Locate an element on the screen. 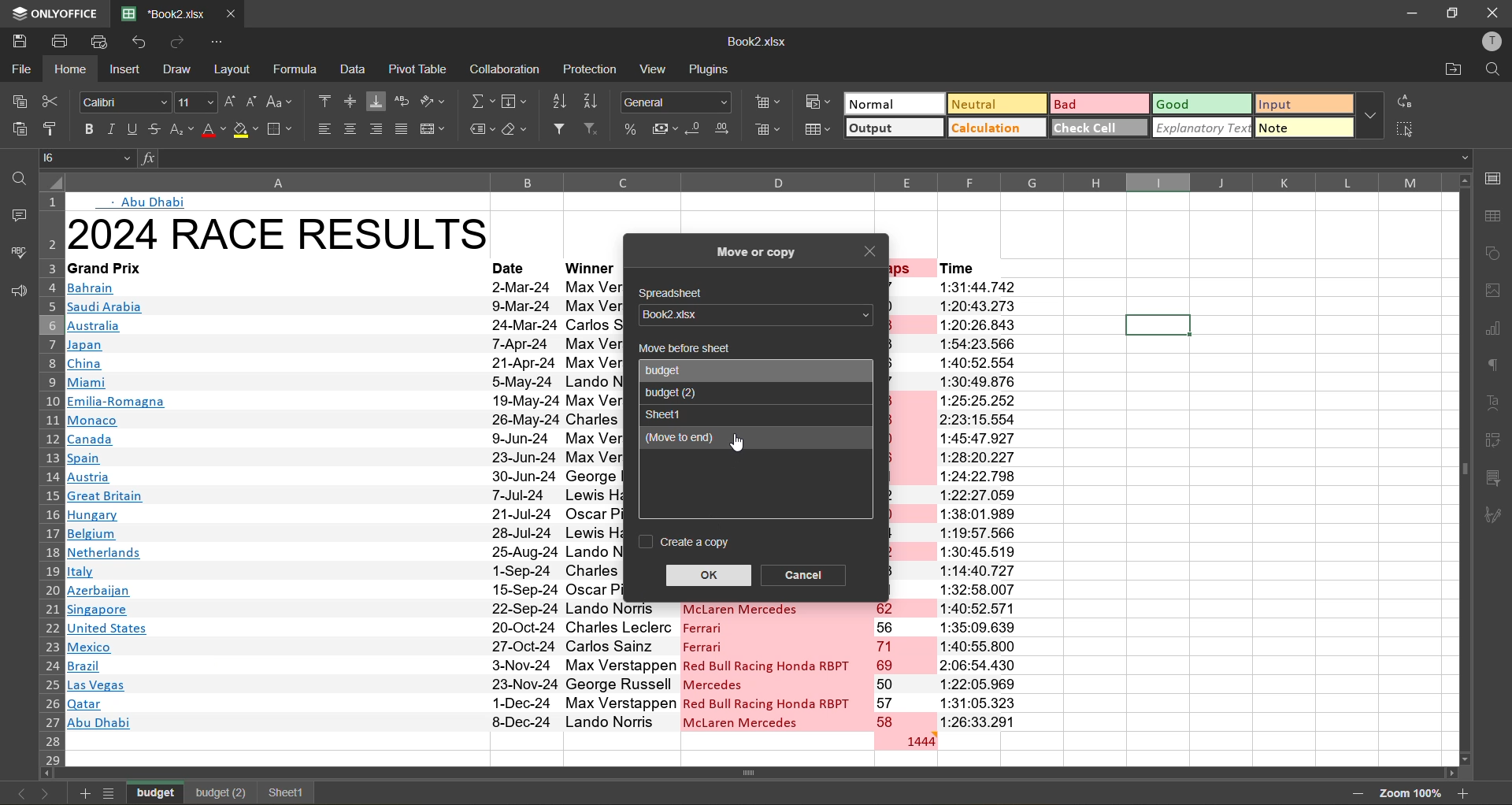 The image size is (1512, 805). images is located at coordinates (1495, 293).